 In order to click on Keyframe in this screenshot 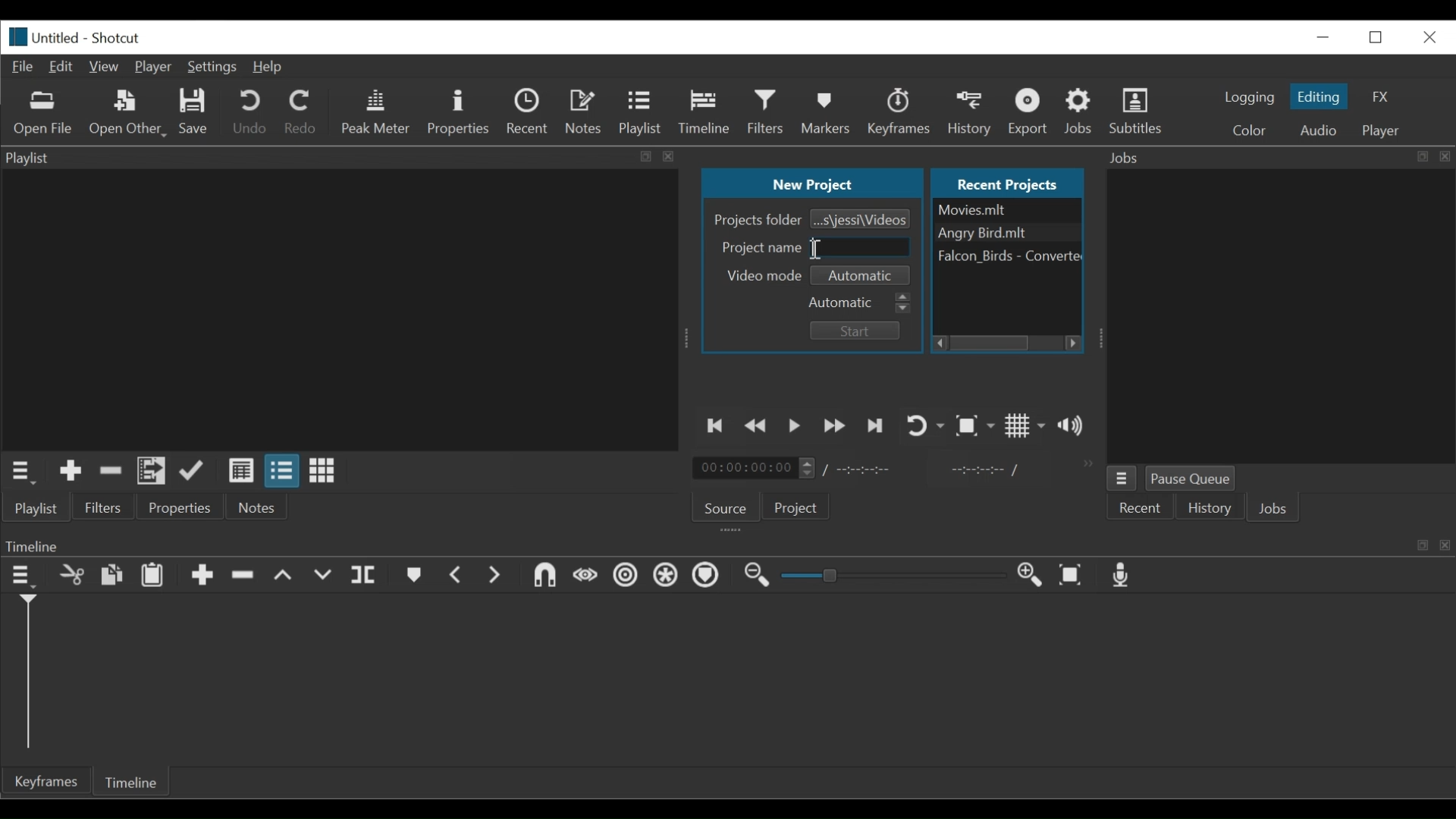, I will do `click(902, 111)`.